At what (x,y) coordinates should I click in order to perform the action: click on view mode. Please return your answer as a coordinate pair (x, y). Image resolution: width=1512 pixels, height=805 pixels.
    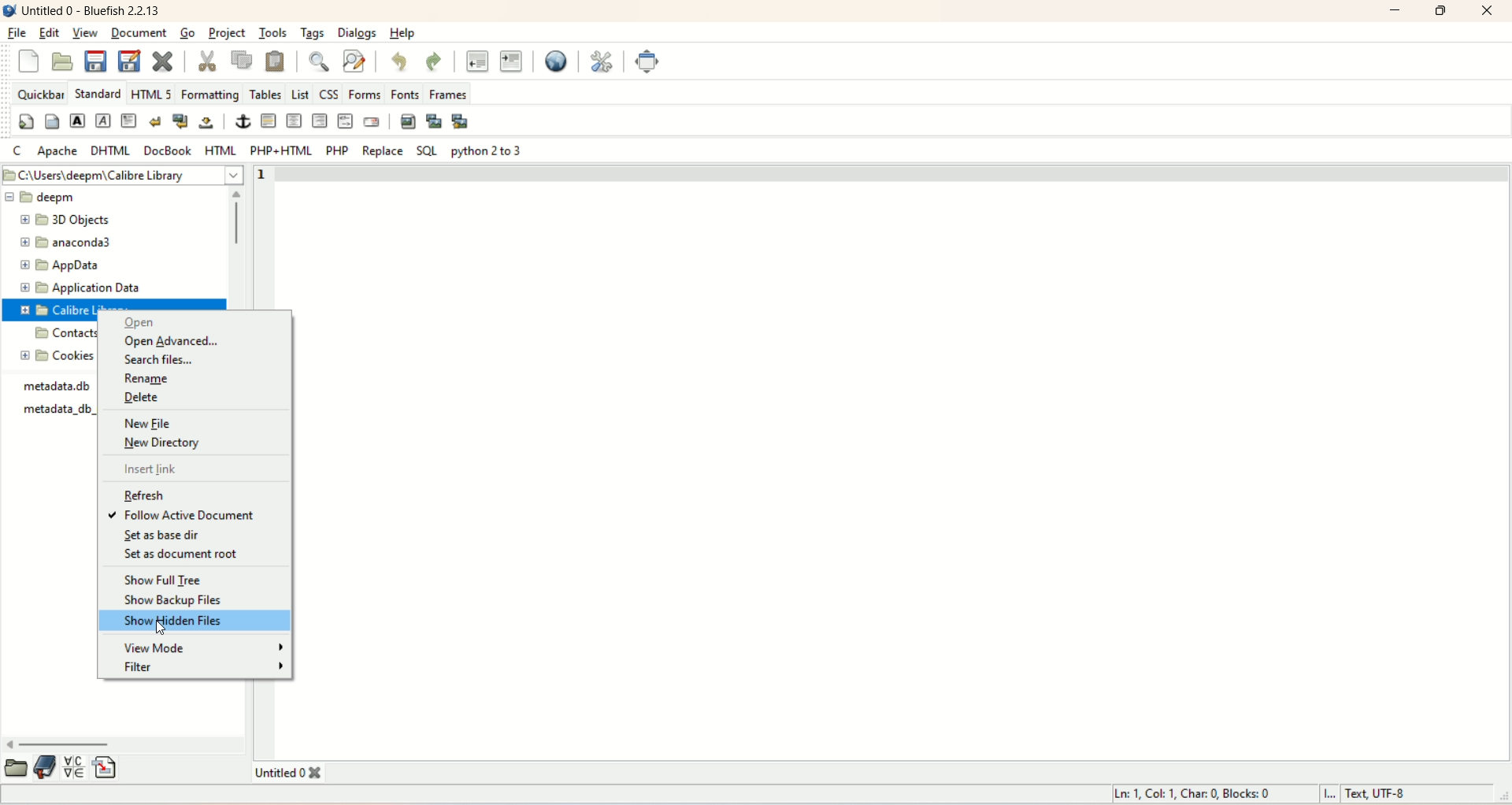
    Looking at the image, I should click on (198, 647).